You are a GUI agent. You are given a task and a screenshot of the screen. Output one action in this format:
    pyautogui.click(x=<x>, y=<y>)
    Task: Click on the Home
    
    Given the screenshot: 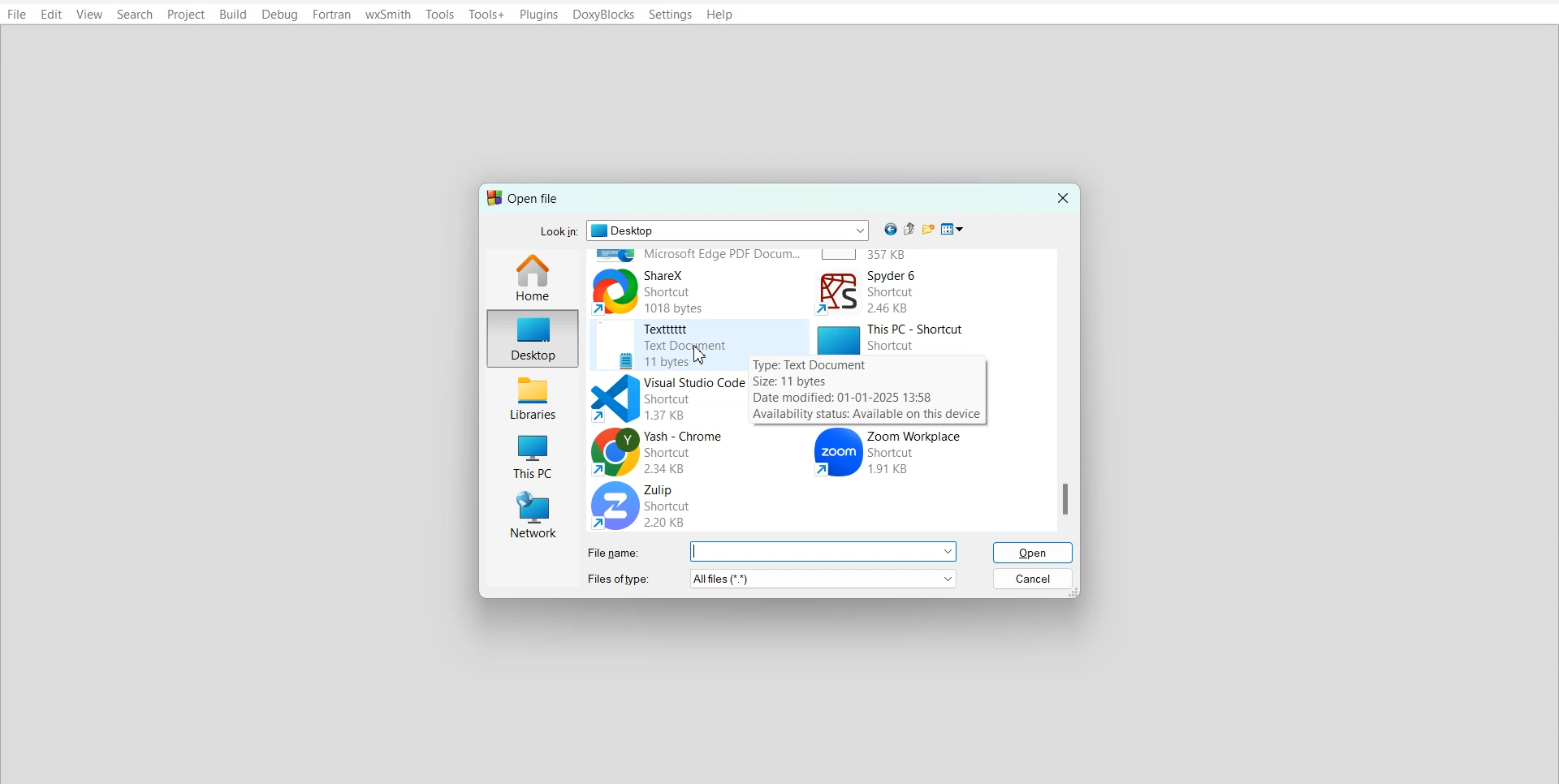 What is the action you would take?
    pyautogui.click(x=538, y=274)
    